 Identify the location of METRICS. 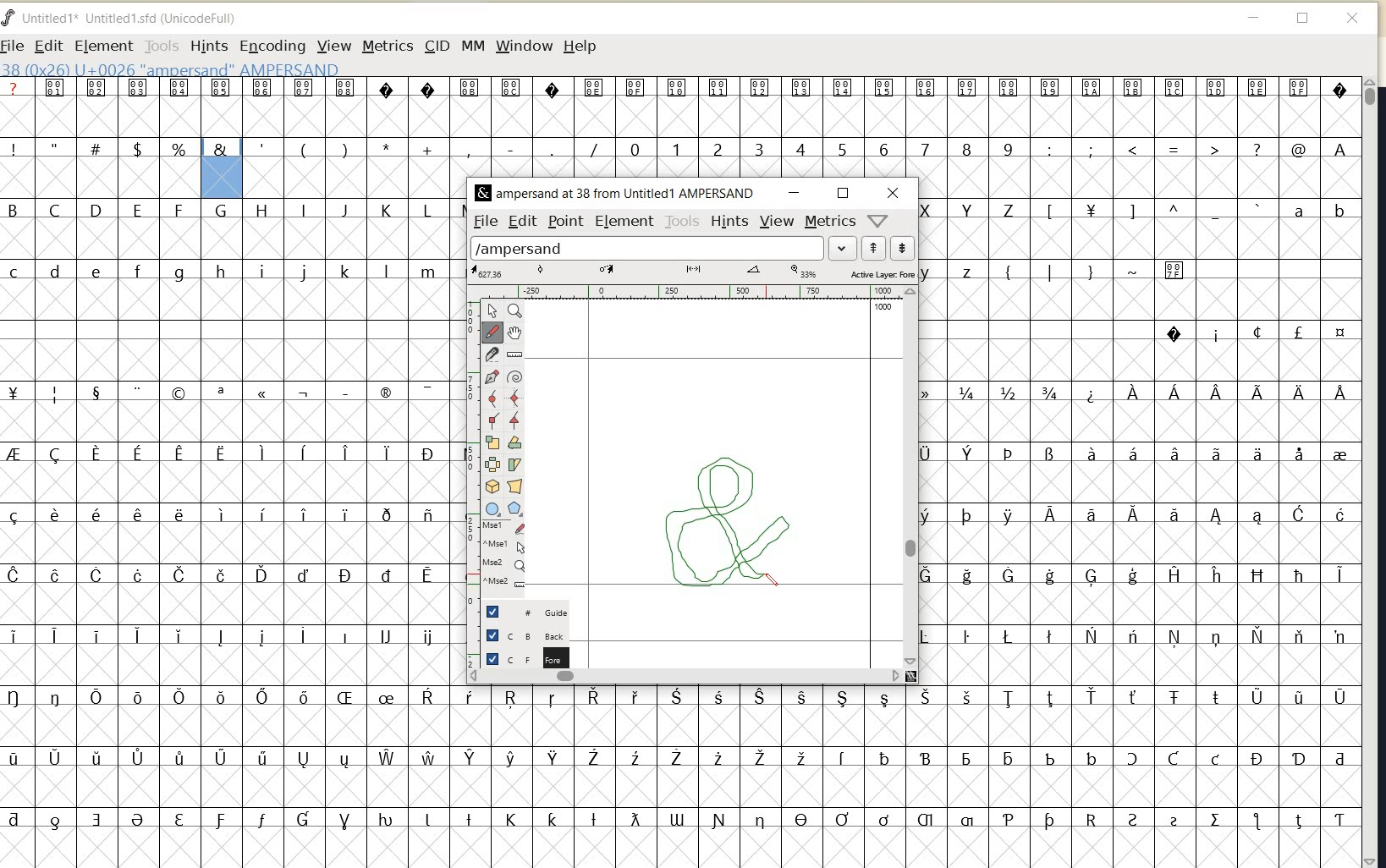
(829, 222).